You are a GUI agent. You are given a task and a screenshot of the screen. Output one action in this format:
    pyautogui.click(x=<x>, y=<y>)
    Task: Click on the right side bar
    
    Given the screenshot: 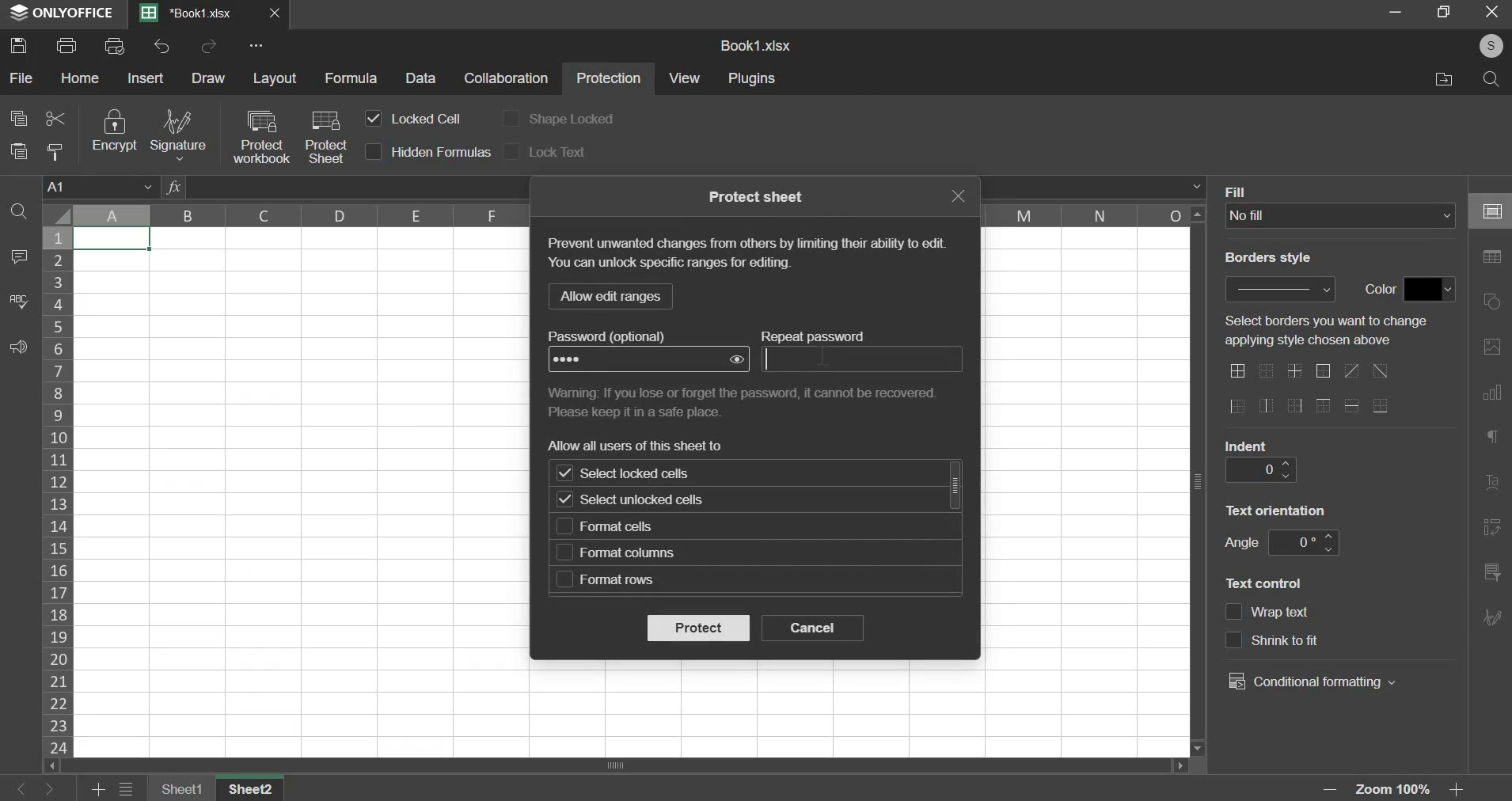 What is the action you would take?
    pyautogui.click(x=1491, y=571)
    